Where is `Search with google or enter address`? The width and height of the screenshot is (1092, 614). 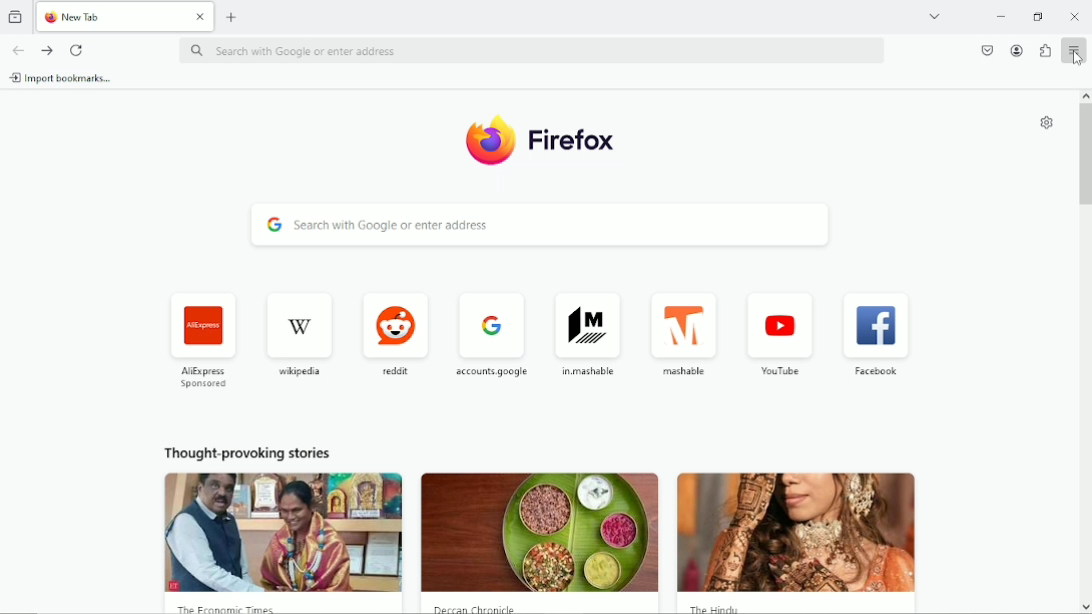 Search with google or enter address is located at coordinates (539, 226).